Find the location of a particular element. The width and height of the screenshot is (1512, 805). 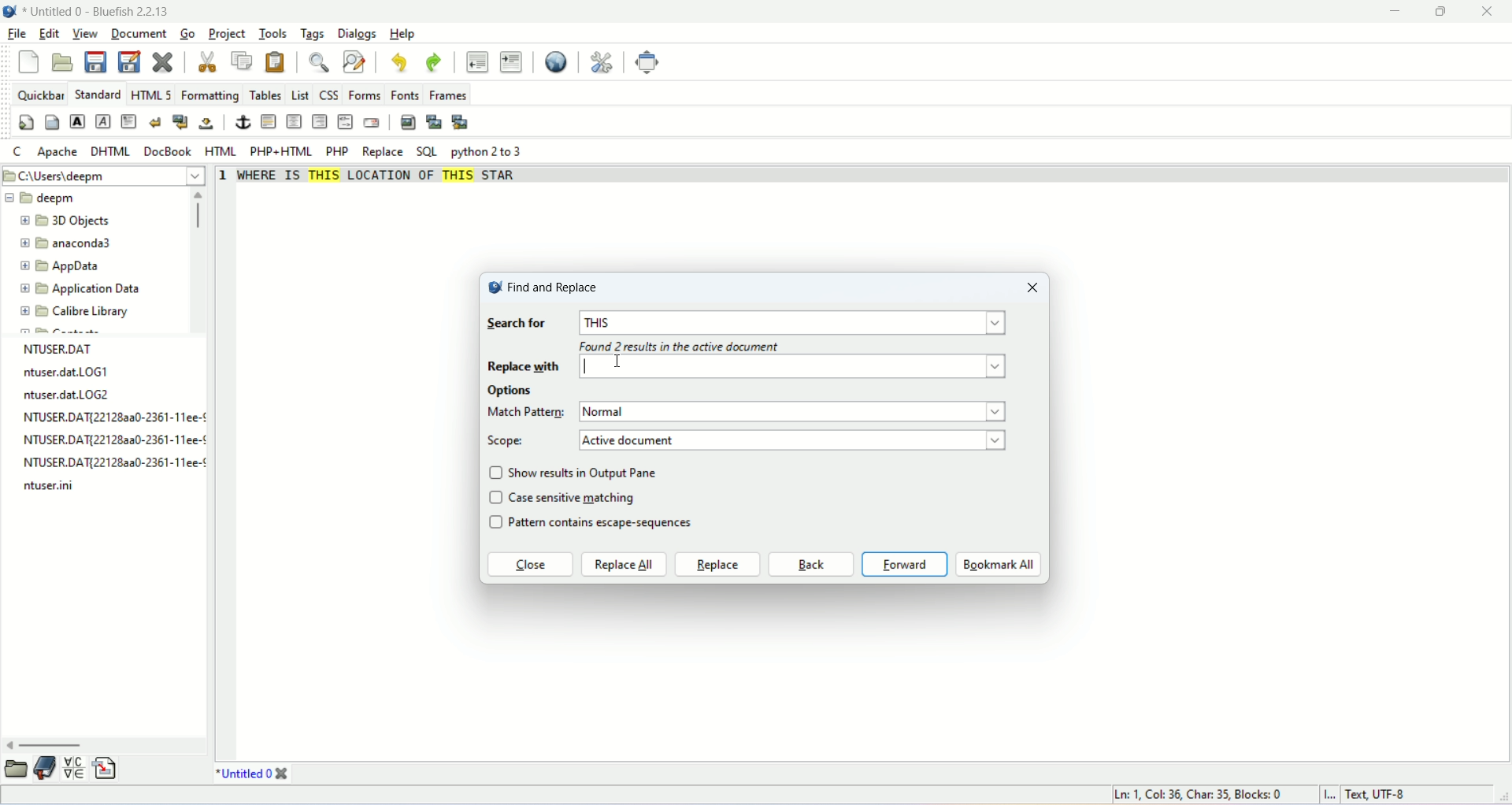

scope is located at coordinates (509, 441).